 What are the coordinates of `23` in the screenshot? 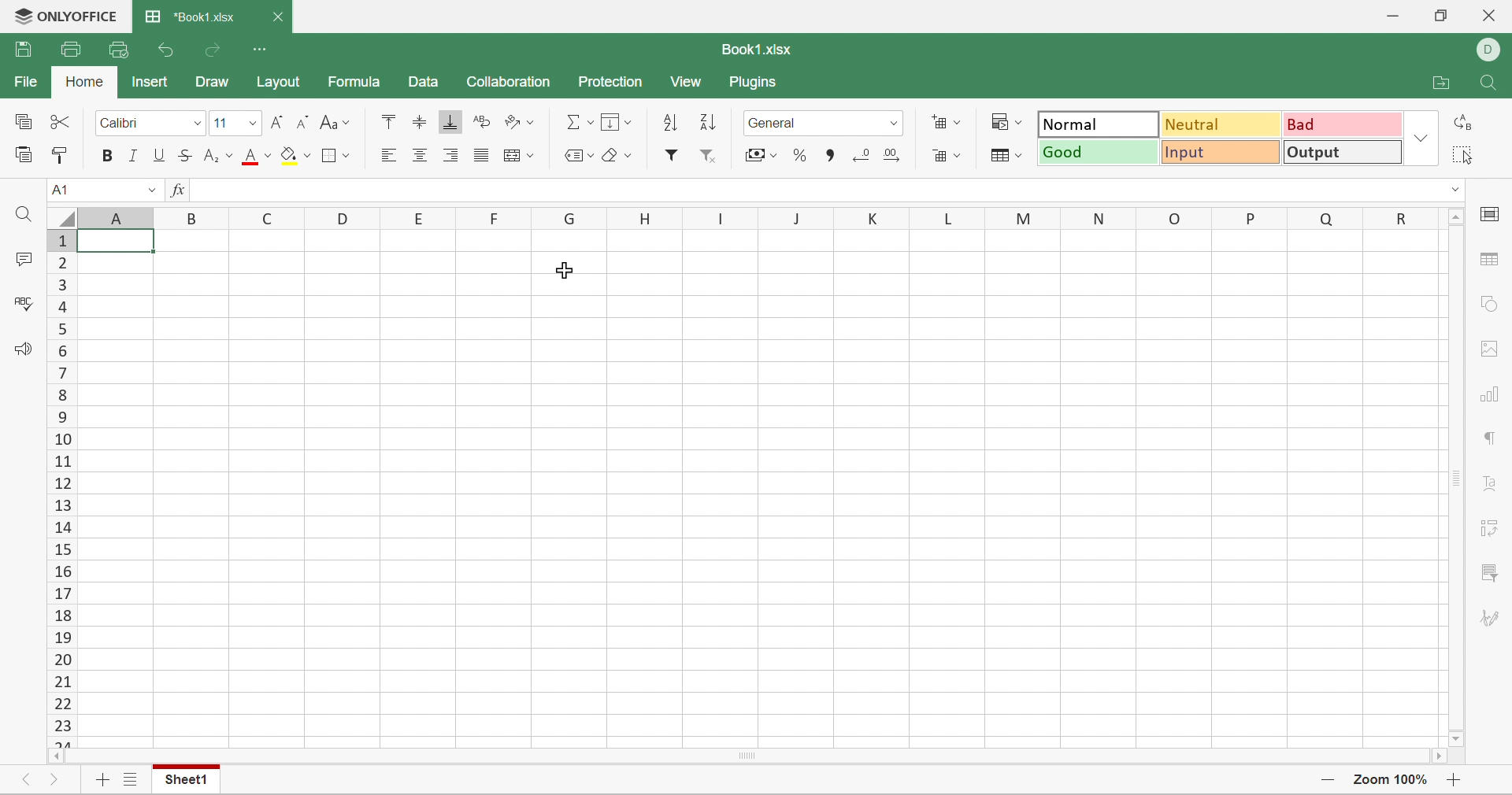 It's located at (68, 728).